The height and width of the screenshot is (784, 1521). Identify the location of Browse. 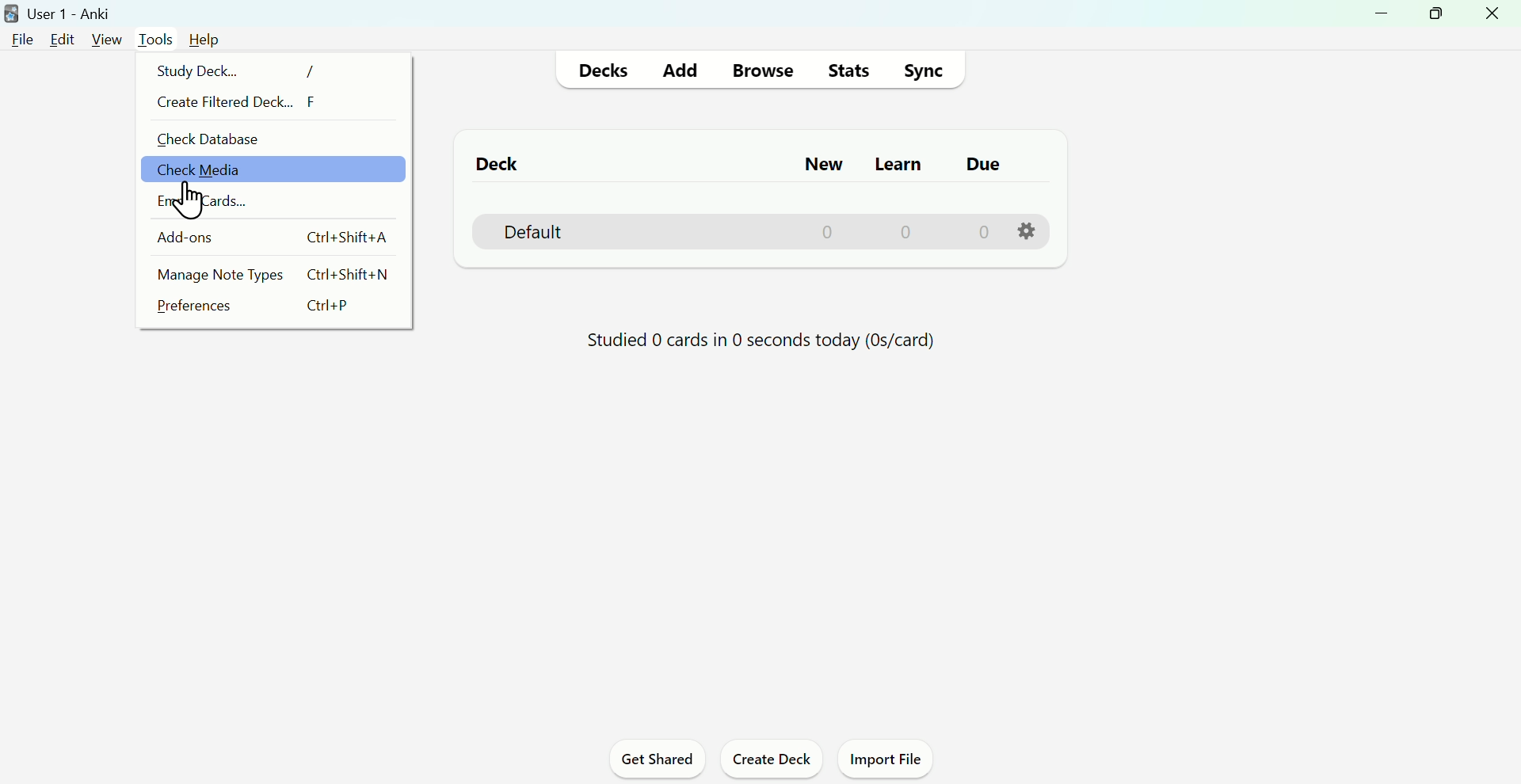
(764, 69).